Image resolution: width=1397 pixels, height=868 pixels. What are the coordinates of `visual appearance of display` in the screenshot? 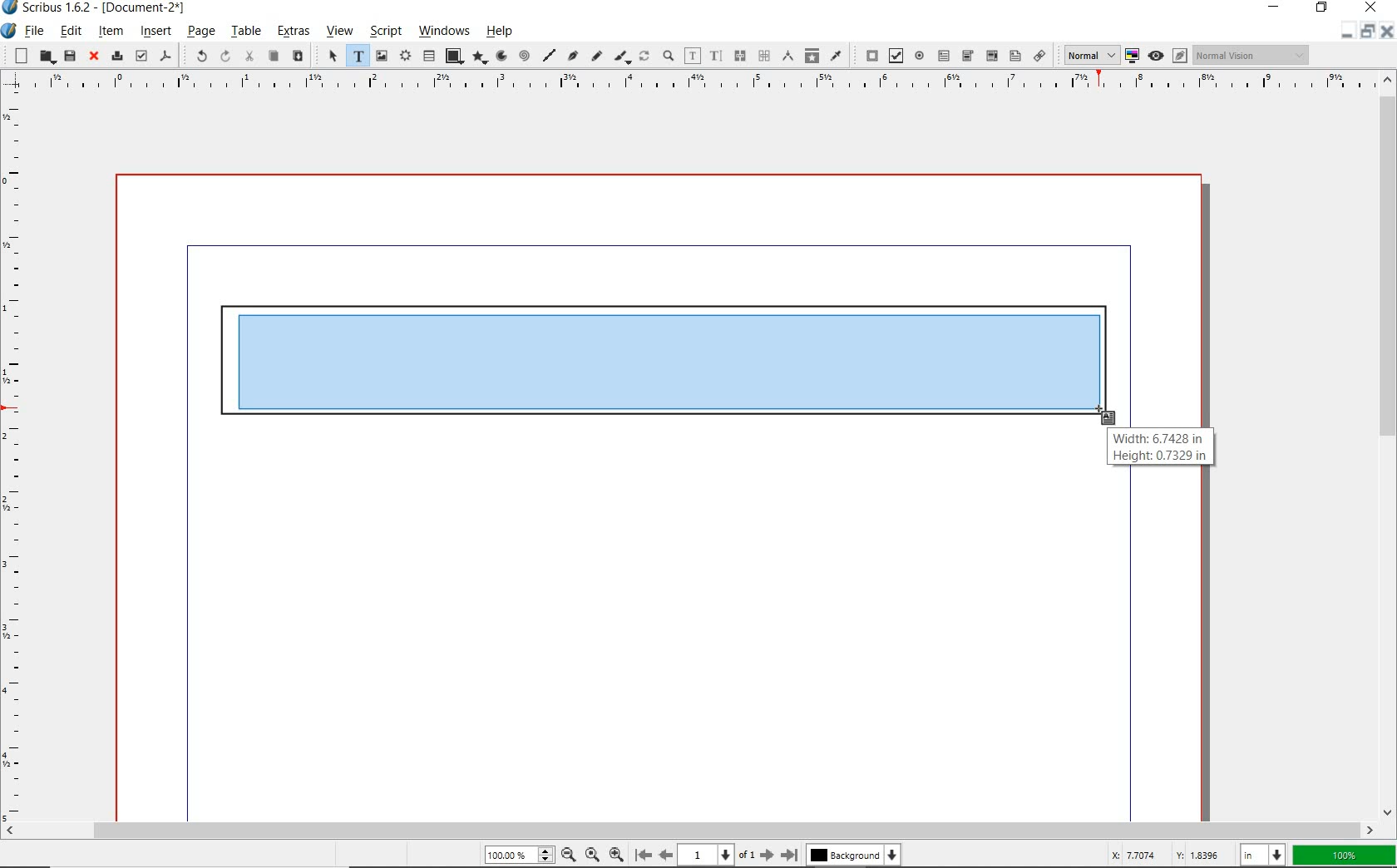 It's located at (1254, 54).